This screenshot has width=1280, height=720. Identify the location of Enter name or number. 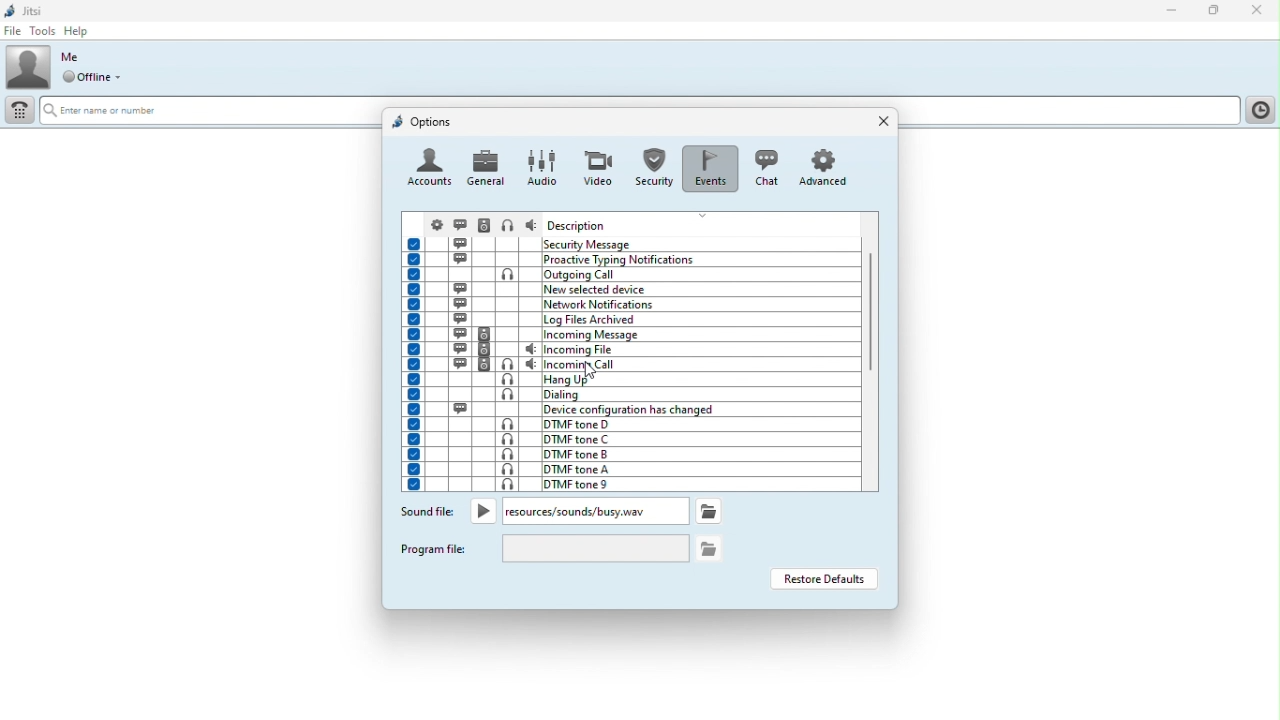
(114, 112).